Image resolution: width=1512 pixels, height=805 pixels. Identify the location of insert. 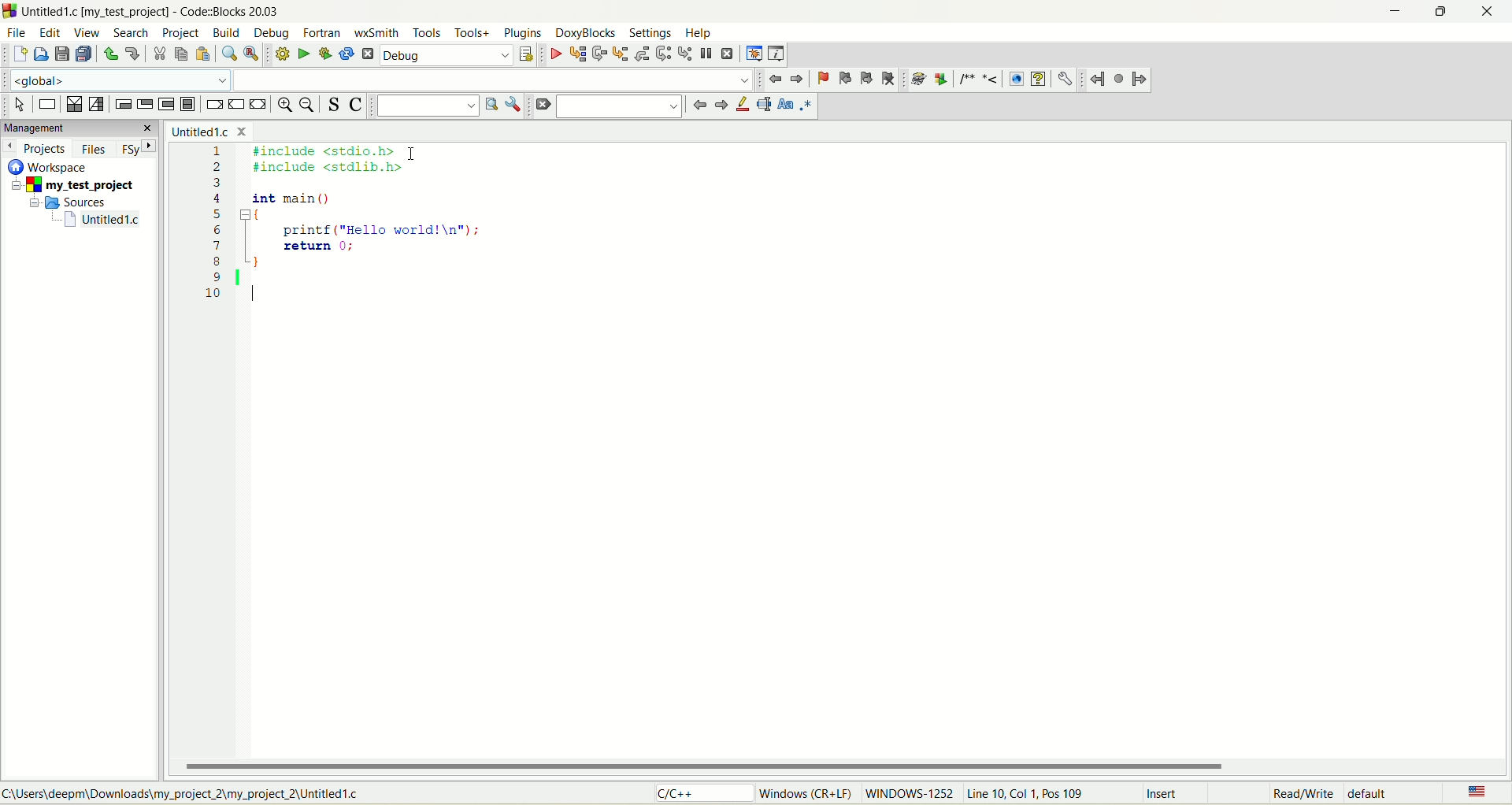
(1157, 793).